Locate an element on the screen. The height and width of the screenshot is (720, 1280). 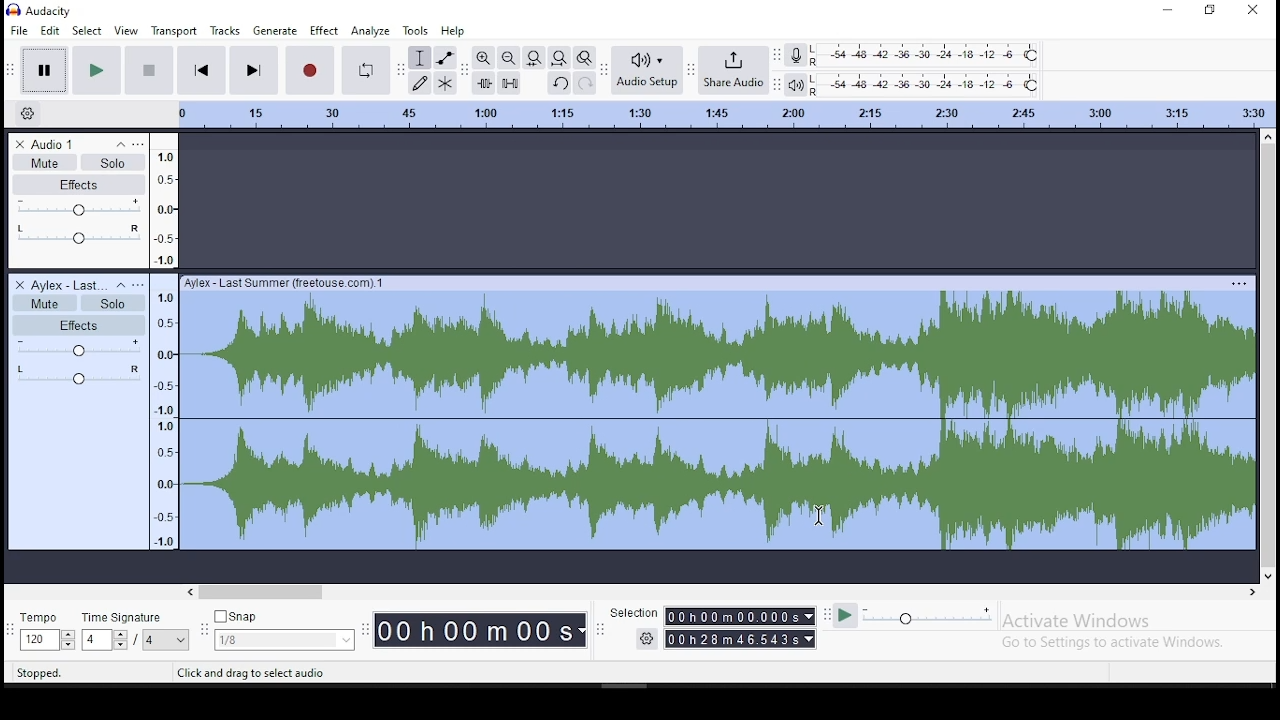
audio setup is located at coordinates (646, 71).